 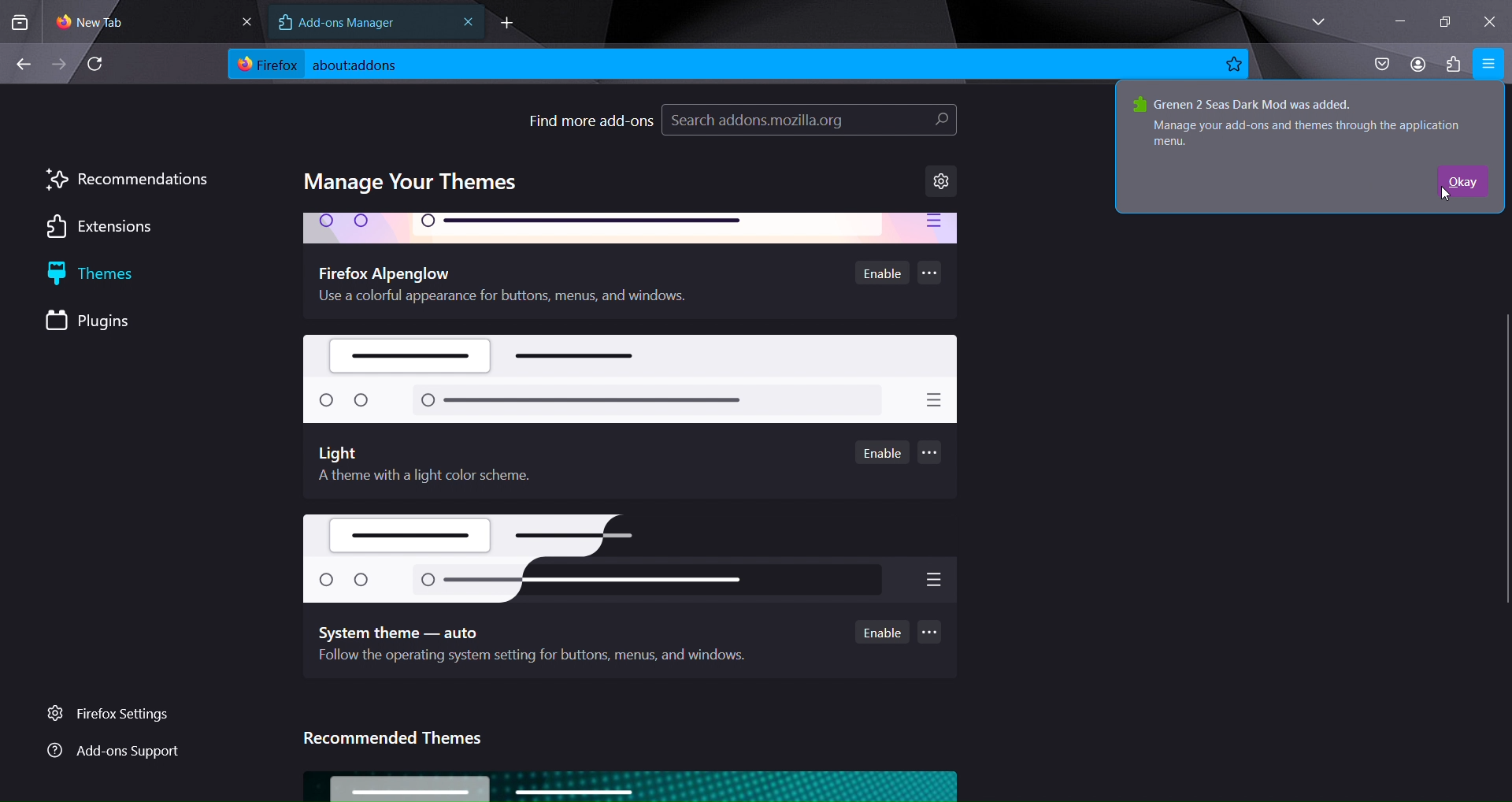 I want to click on go back one page, so click(x=24, y=61).